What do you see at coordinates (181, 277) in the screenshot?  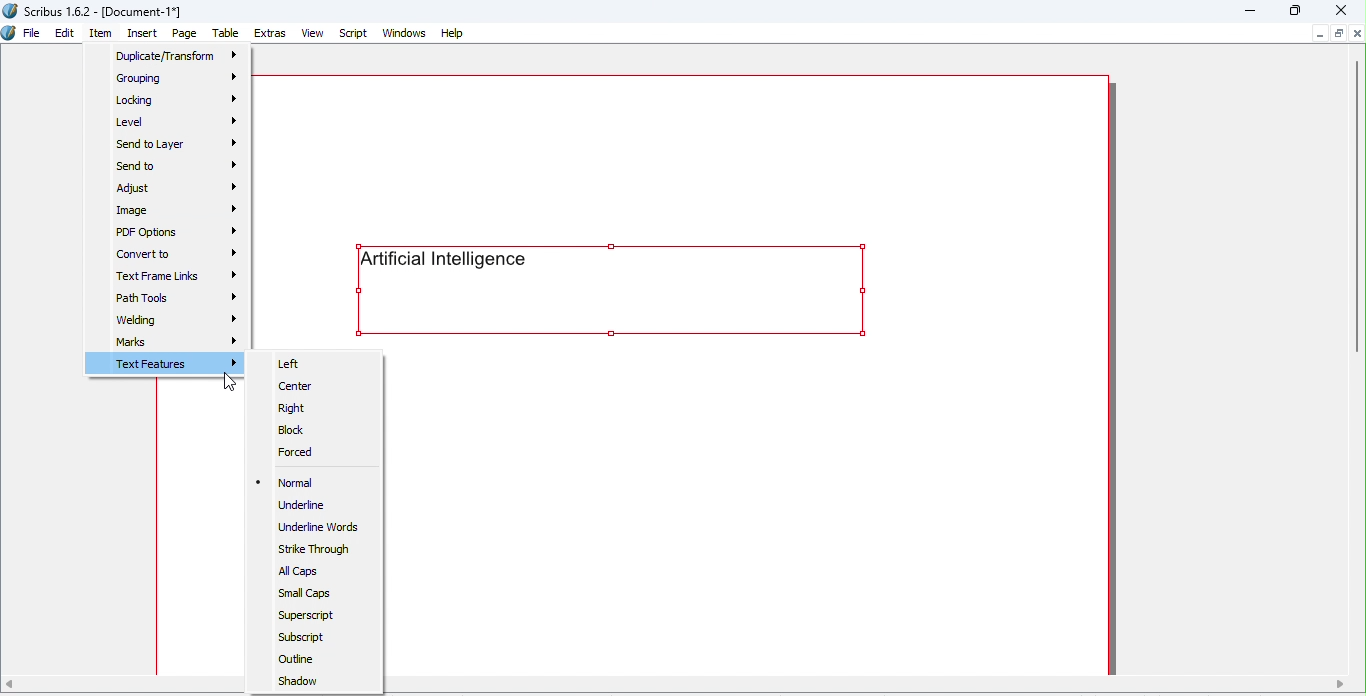 I see `Text frame links` at bounding box center [181, 277].